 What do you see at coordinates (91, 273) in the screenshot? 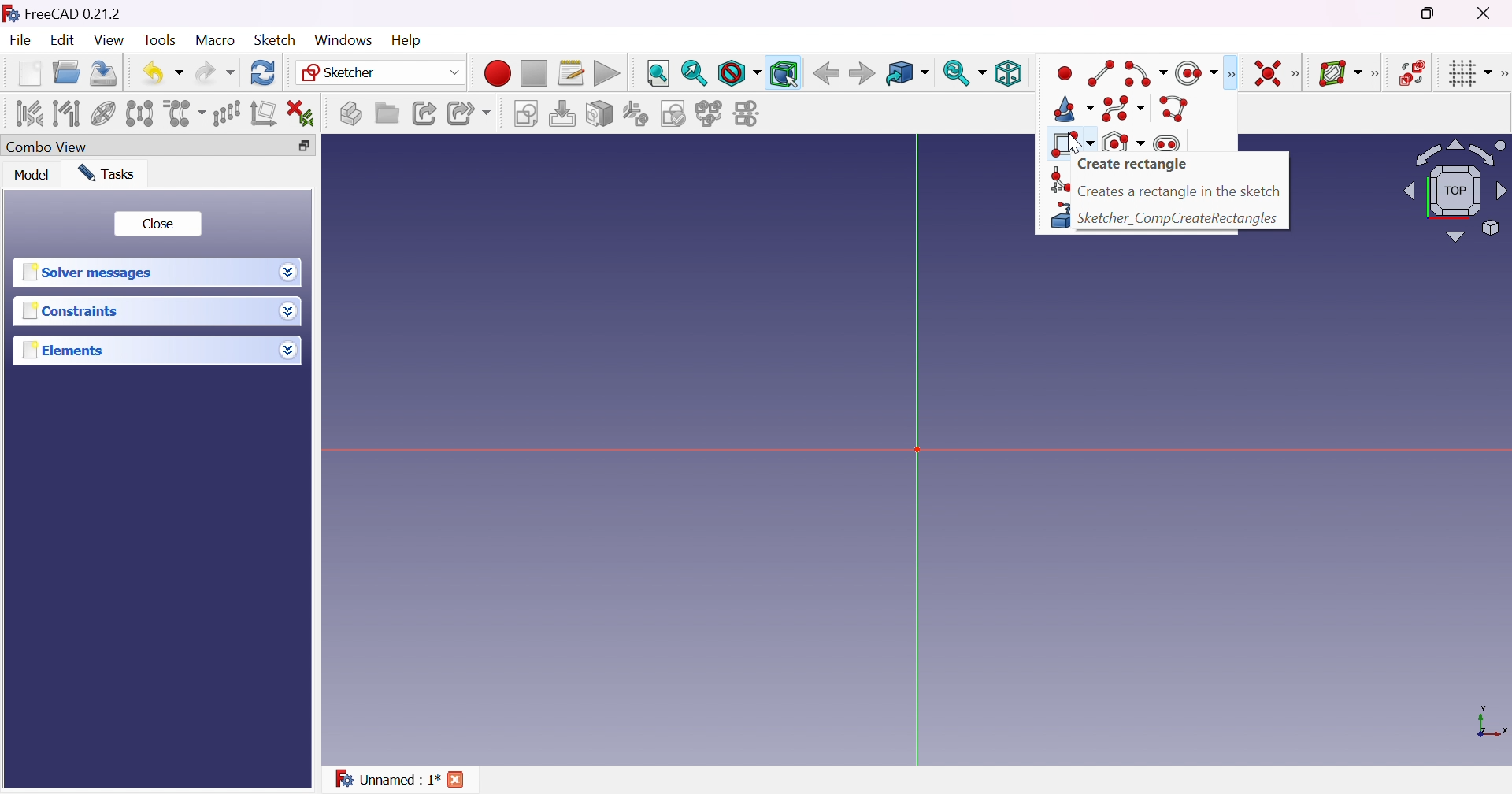
I see `Solver message` at bounding box center [91, 273].